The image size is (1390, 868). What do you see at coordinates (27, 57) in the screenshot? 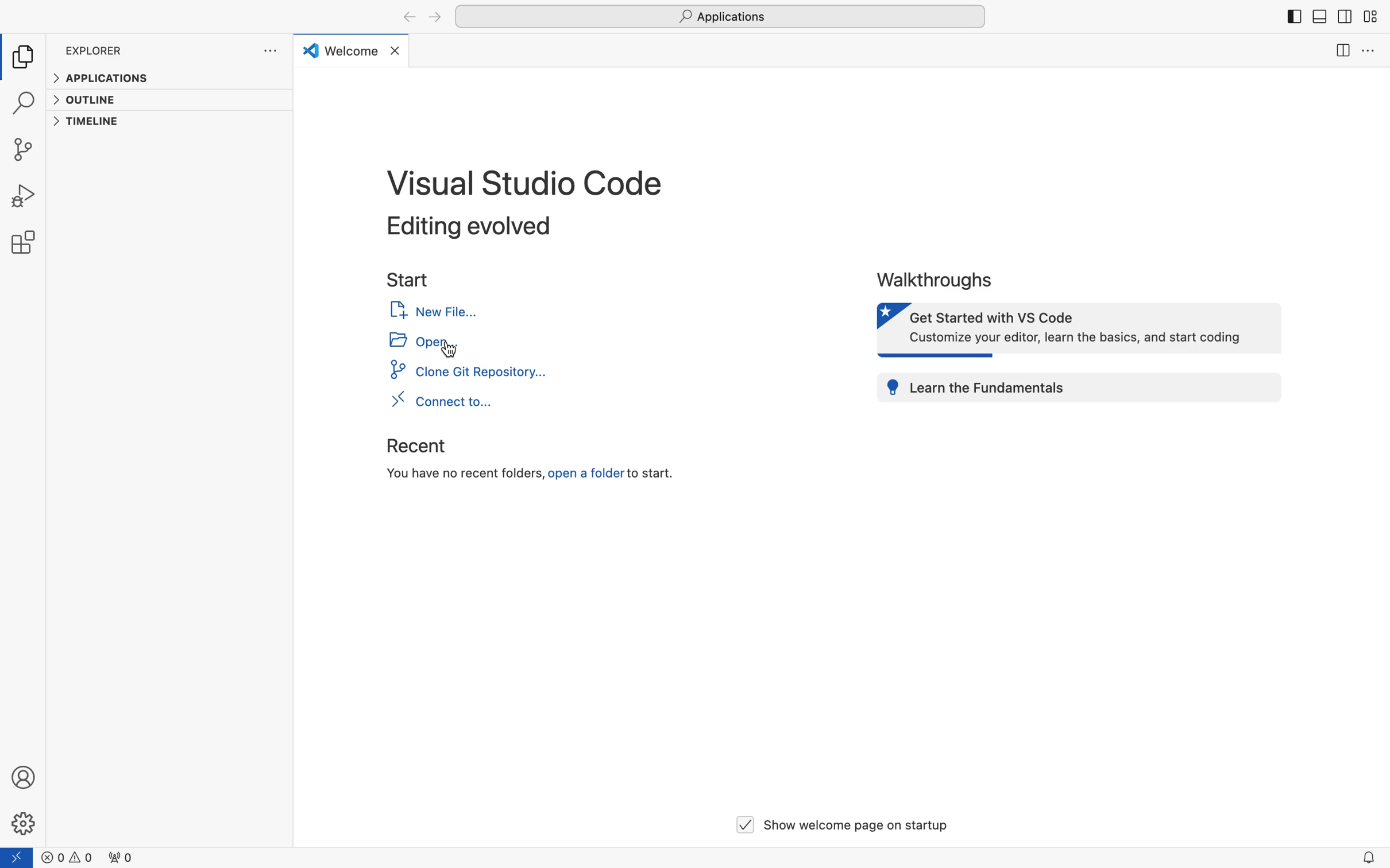
I see `explorer` at bounding box center [27, 57].